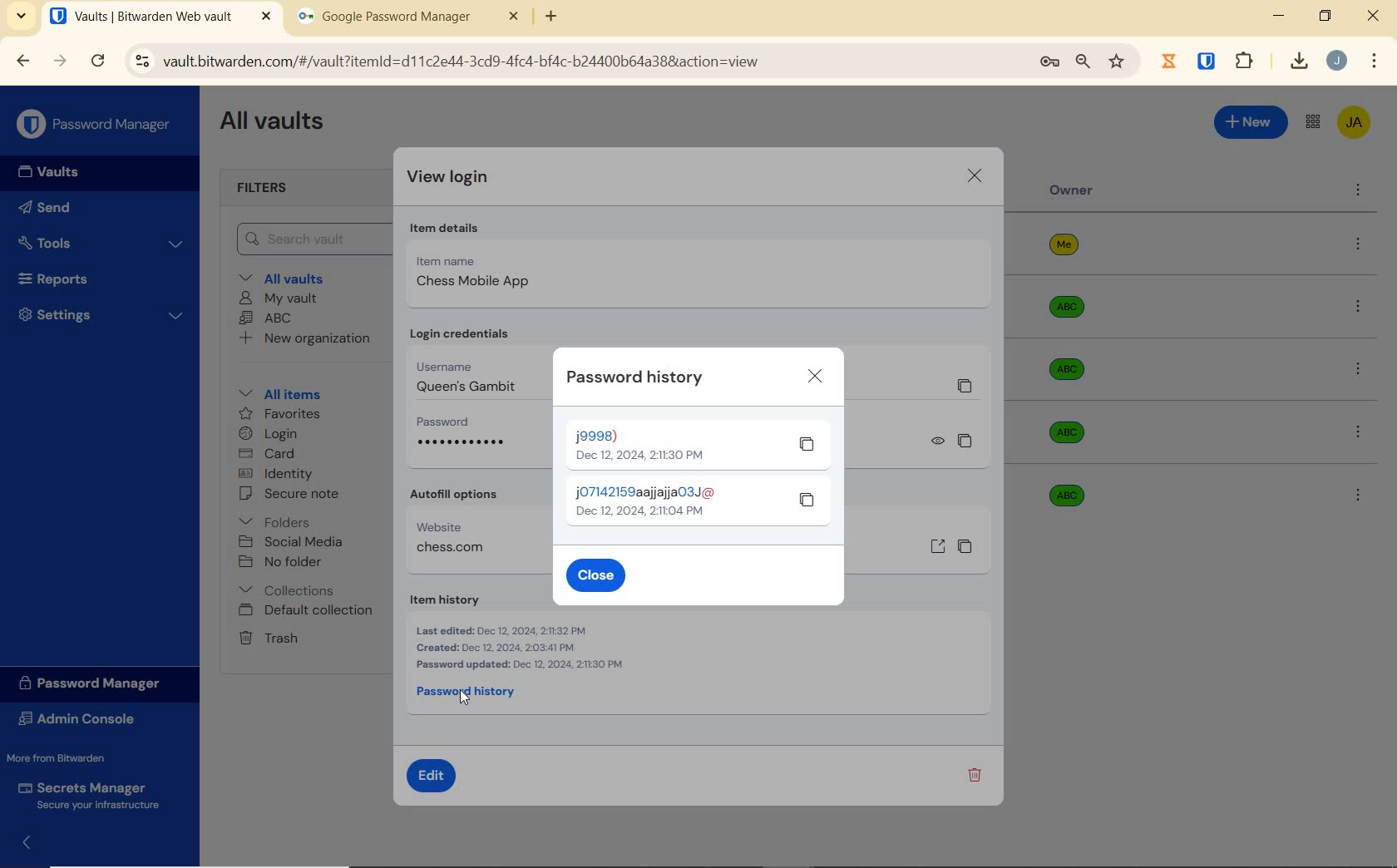 This screenshot has height=868, width=1397. I want to click on open tab, so click(163, 18).